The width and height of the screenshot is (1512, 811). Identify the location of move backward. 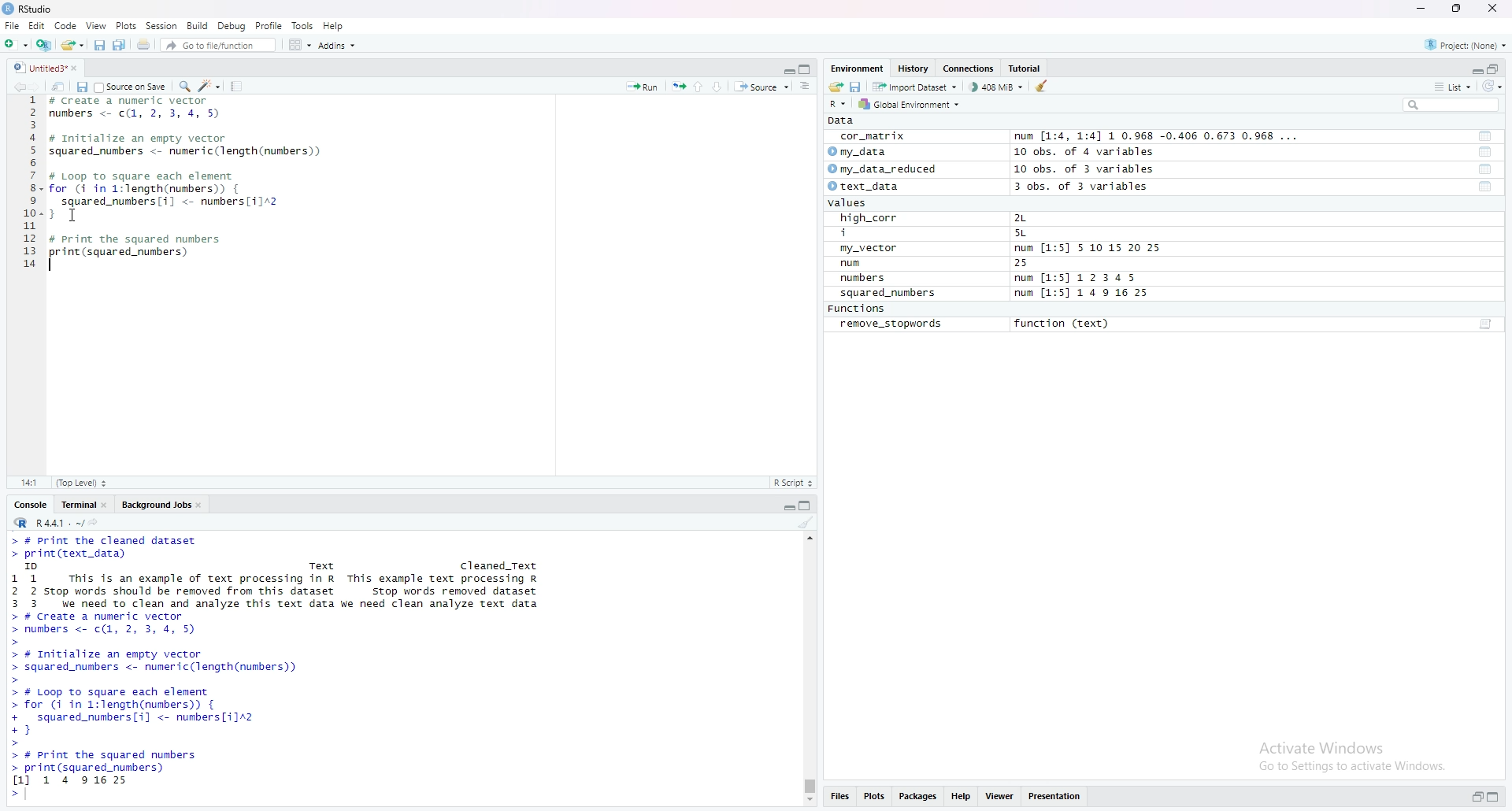
(19, 85).